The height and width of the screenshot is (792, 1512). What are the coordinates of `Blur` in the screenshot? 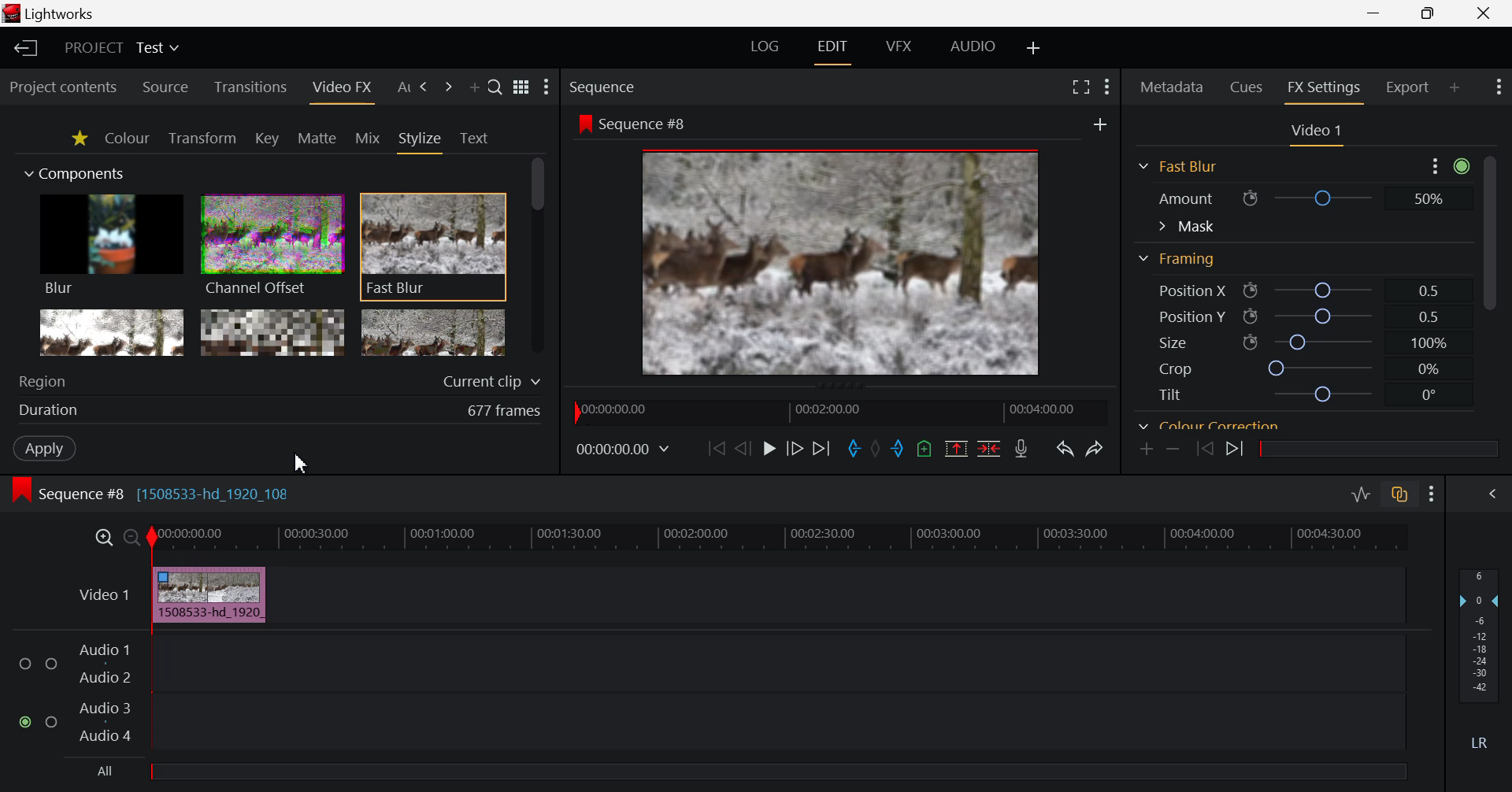 It's located at (113, 246).